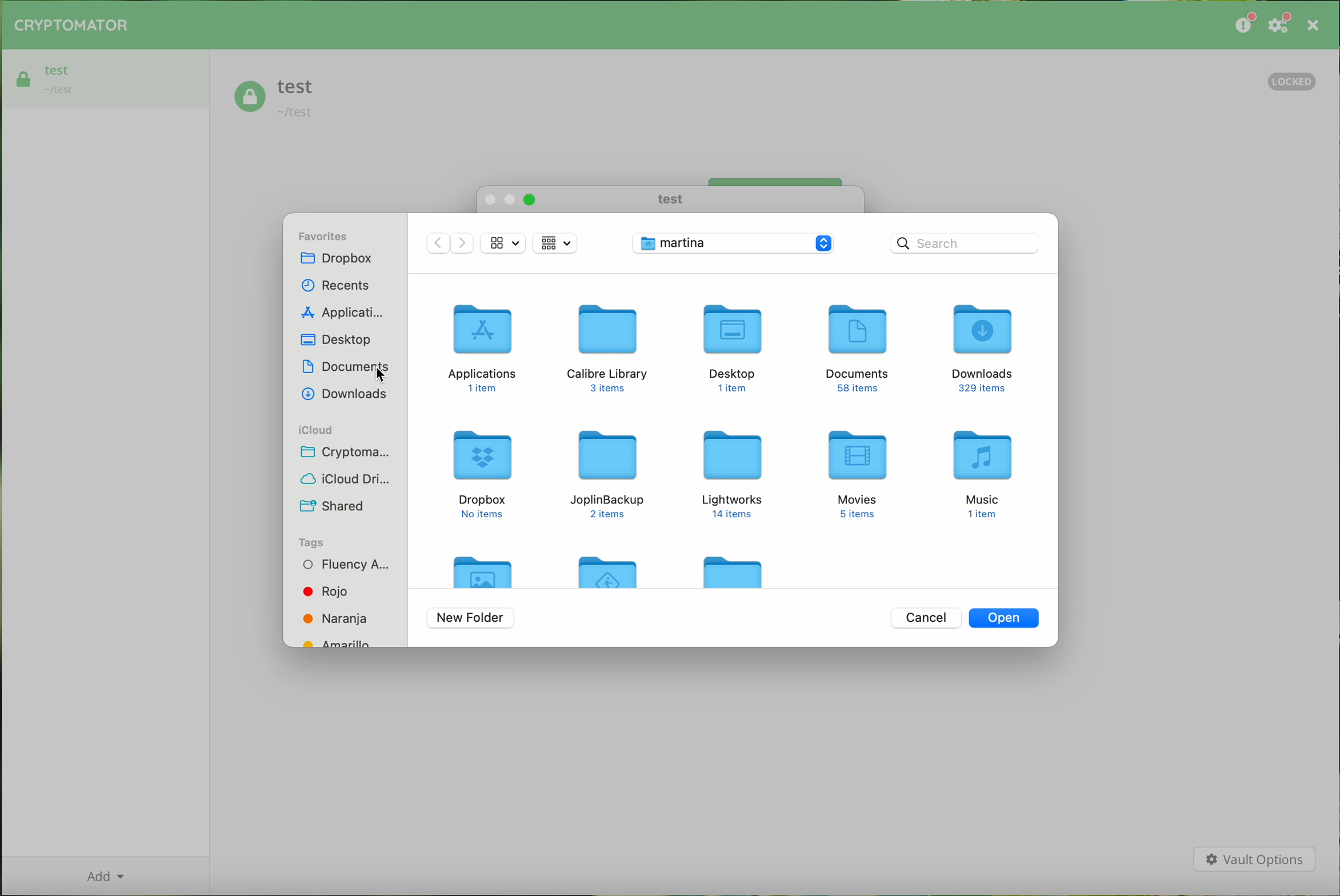  I want to click on navigate arrows, so click(450, 246).